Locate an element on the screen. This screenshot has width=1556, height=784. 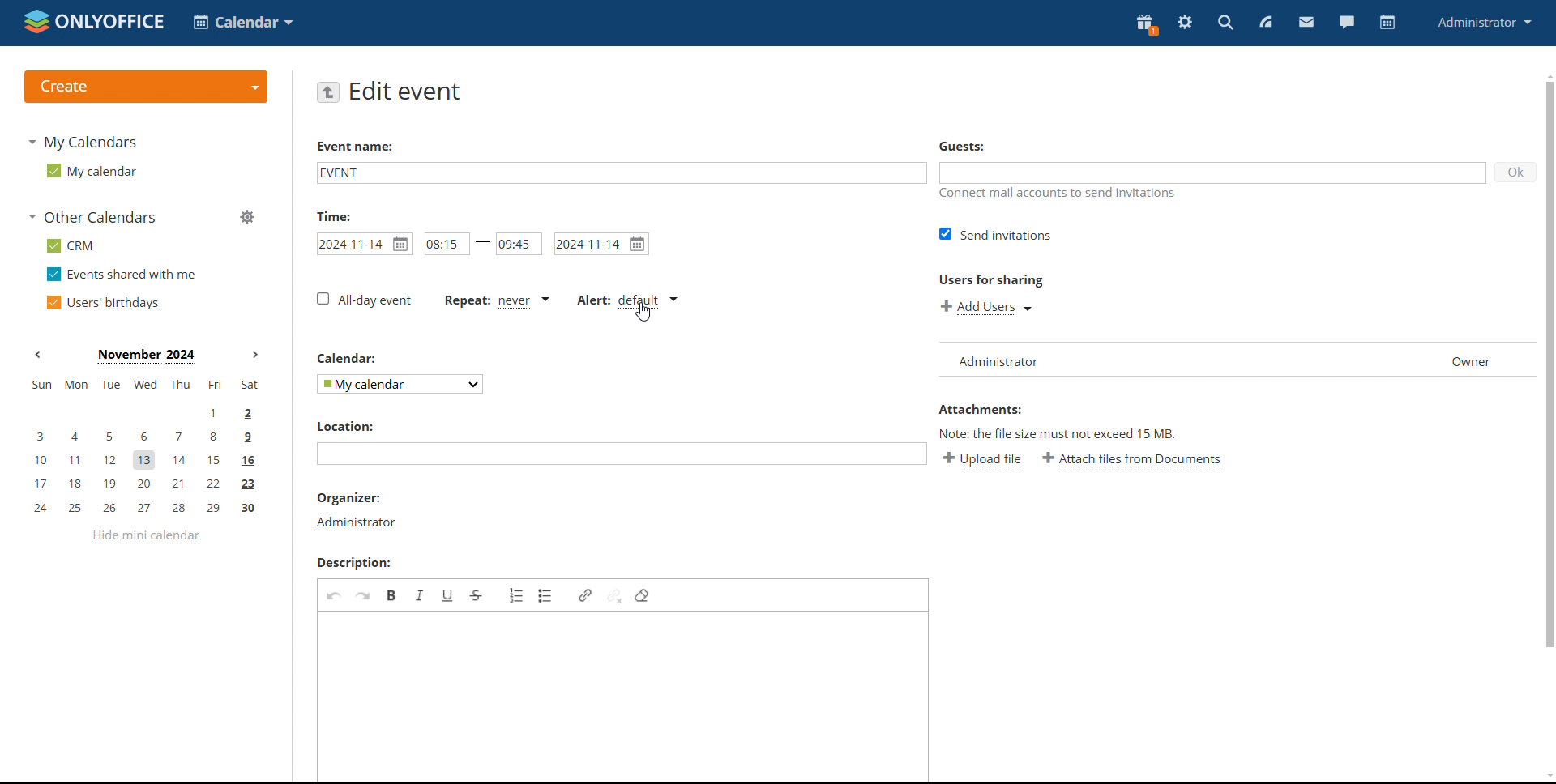
my calendar is located at coordinates (91, 172).